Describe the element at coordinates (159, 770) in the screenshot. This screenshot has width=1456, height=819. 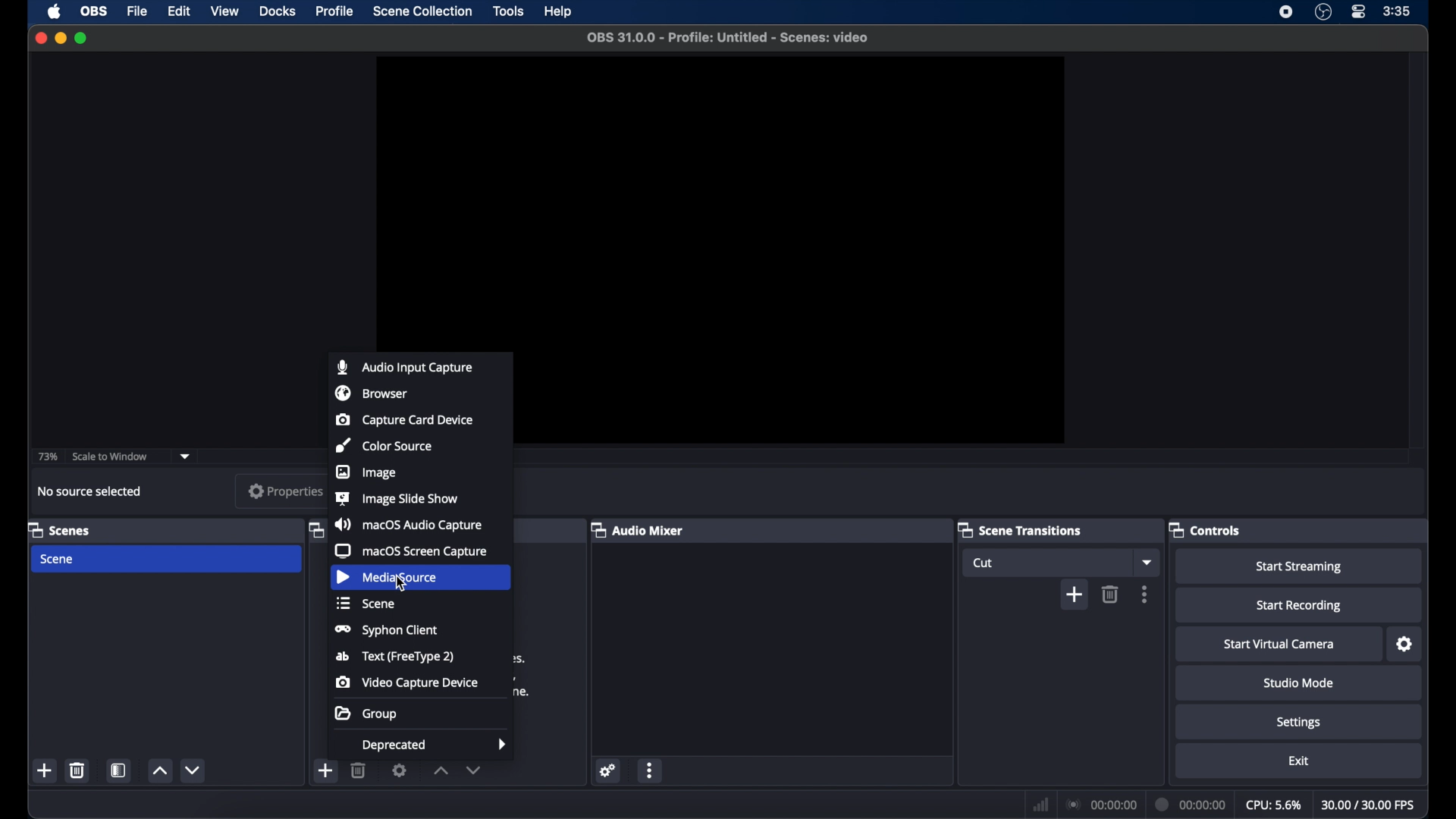
I see `increment` at that location.